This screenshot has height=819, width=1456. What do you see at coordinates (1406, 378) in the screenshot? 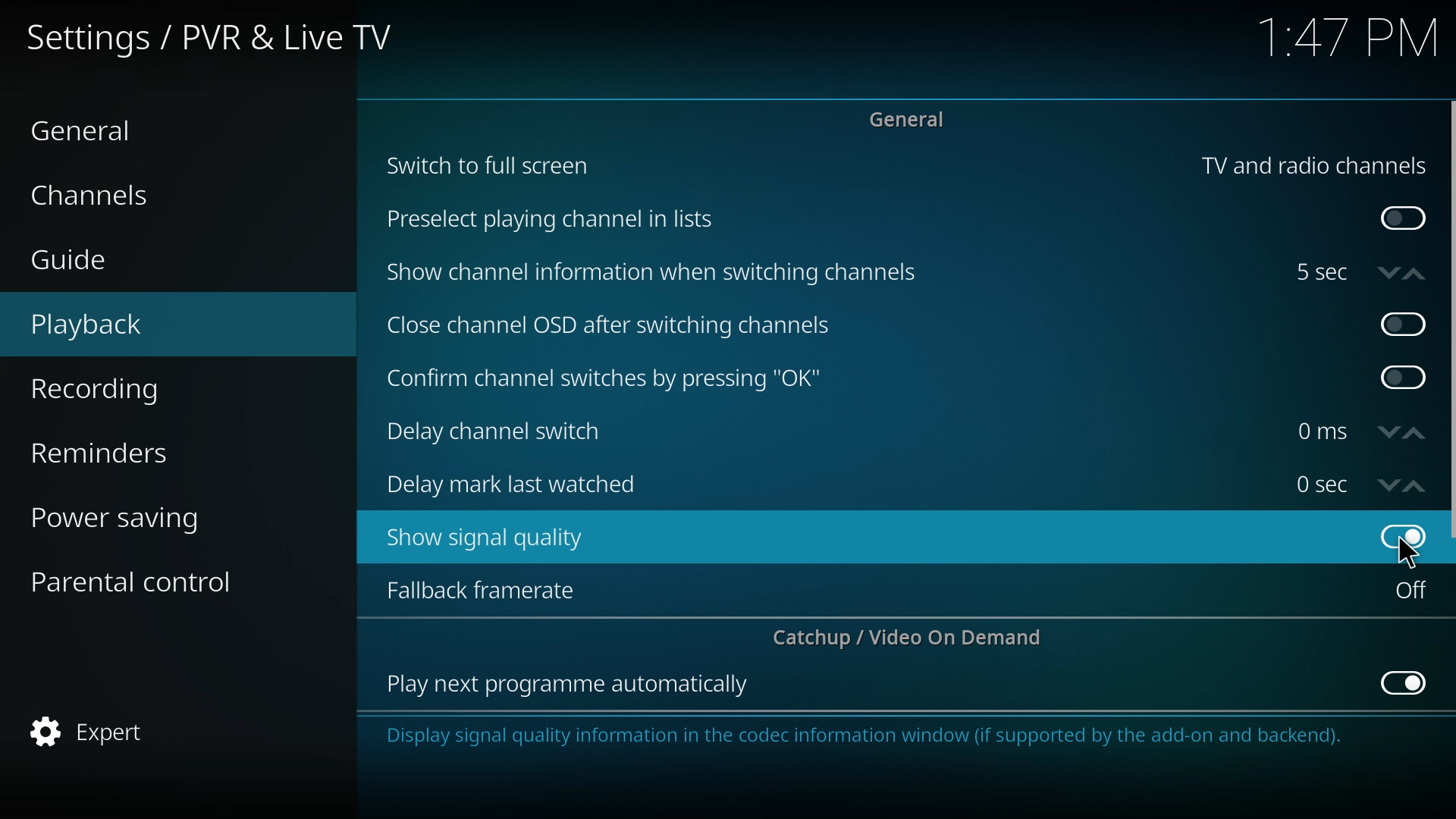
I see `off` at bounding box center [1406, 378].